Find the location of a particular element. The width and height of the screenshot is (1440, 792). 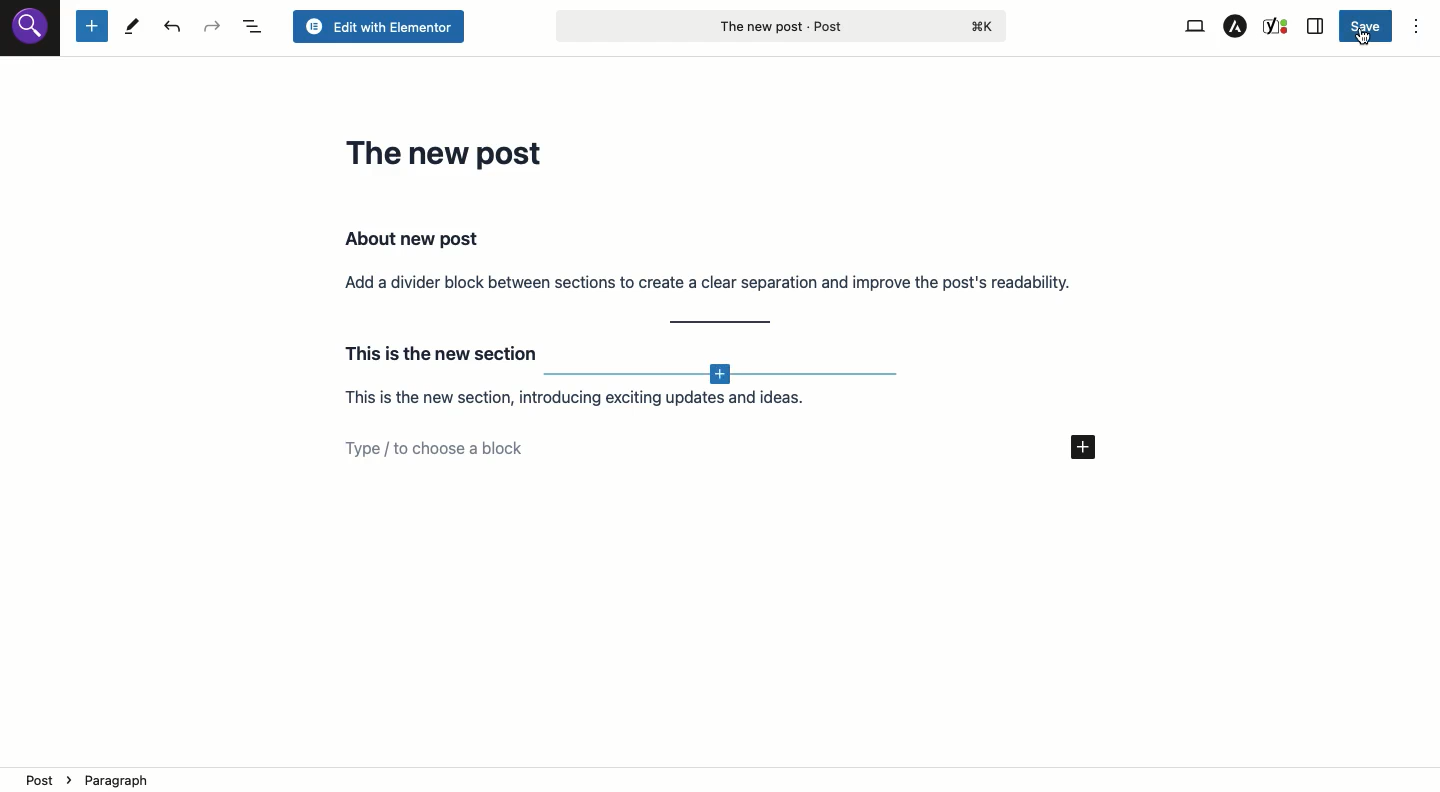

New block is located at coordinates (91, 27).